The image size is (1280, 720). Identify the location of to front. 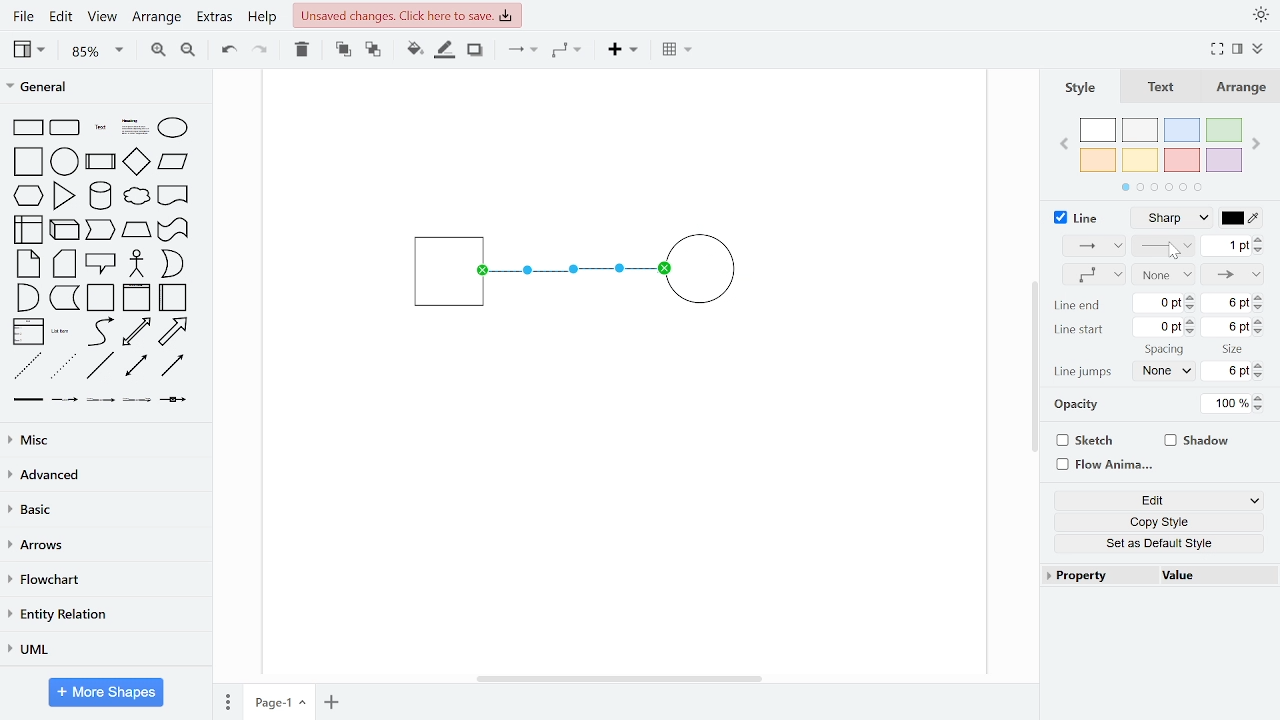
(343, 50).